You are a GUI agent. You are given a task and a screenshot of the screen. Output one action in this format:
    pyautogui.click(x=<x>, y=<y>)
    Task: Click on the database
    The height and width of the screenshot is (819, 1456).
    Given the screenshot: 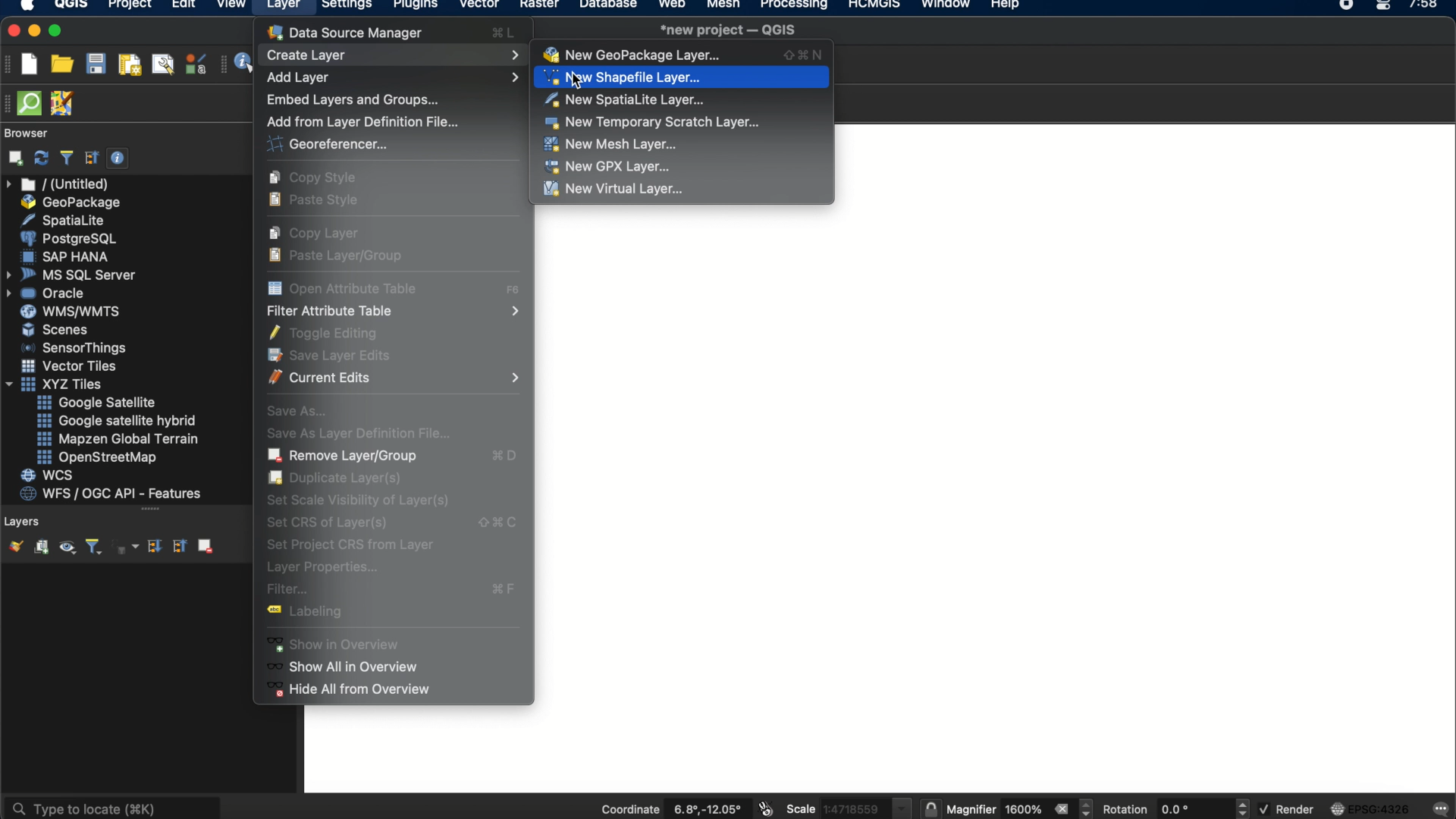 What is the action you would take?
    pyautogui.click(x=607, y=6)
    